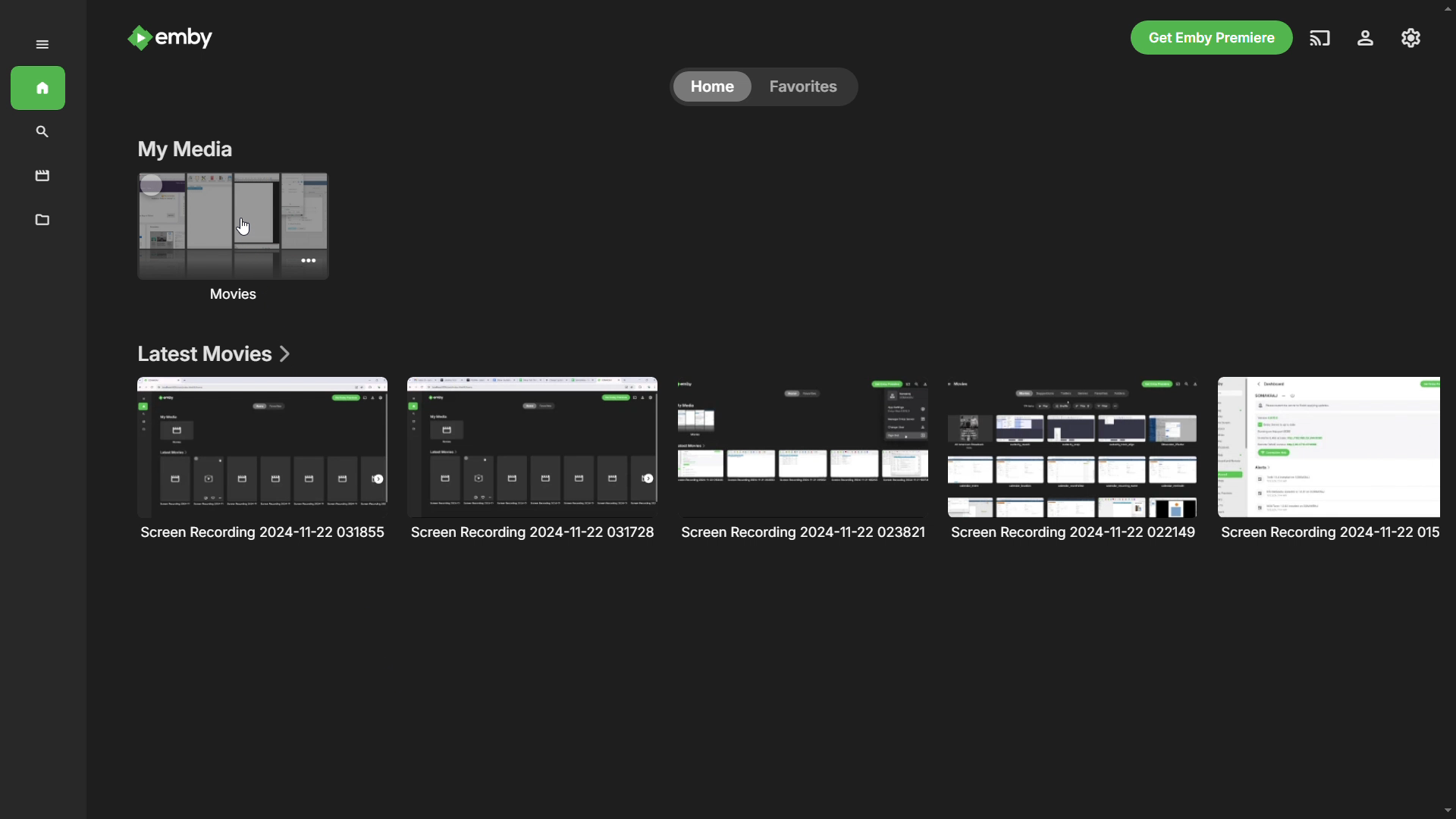 The height and width of the screenshot is (819, 1456). I want to click on scroll down, so click(1447, 810).